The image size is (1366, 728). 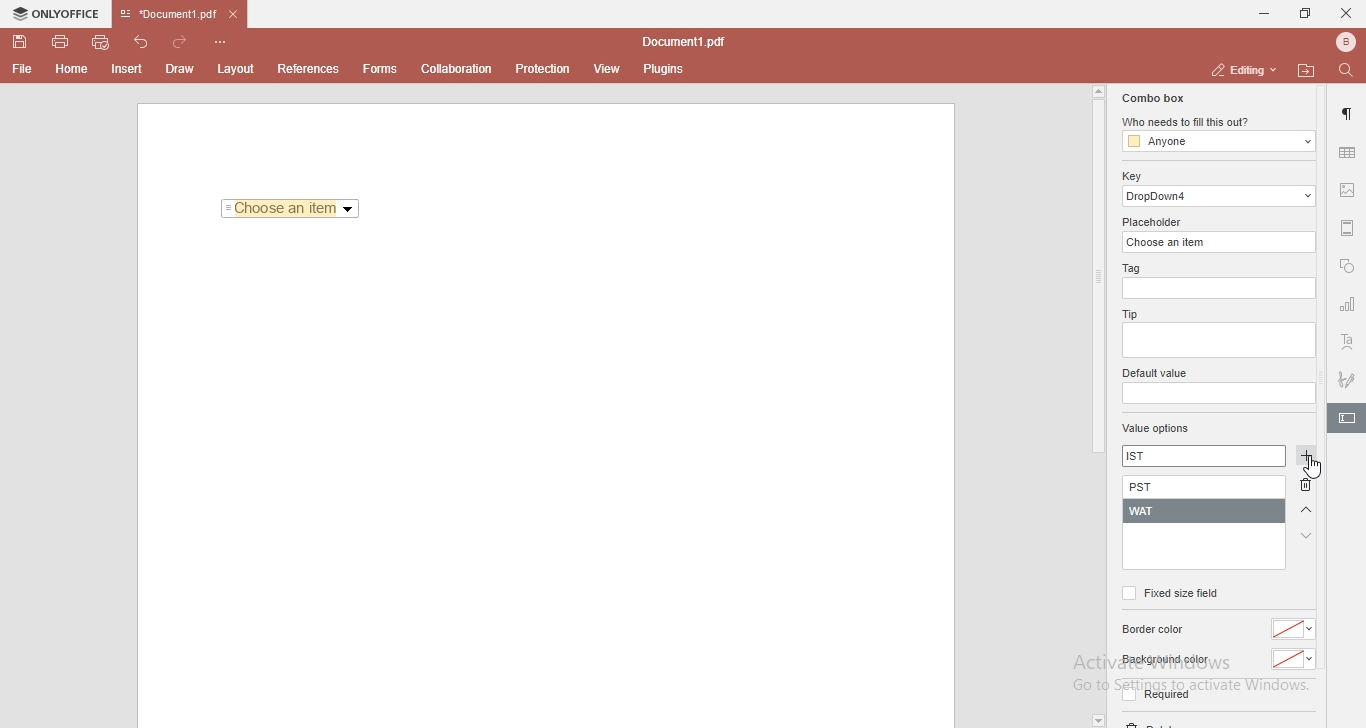 What do you see at coordinates (1129, 269) in the screenshot?
I see `tag` at bounding box center [1129, 269].